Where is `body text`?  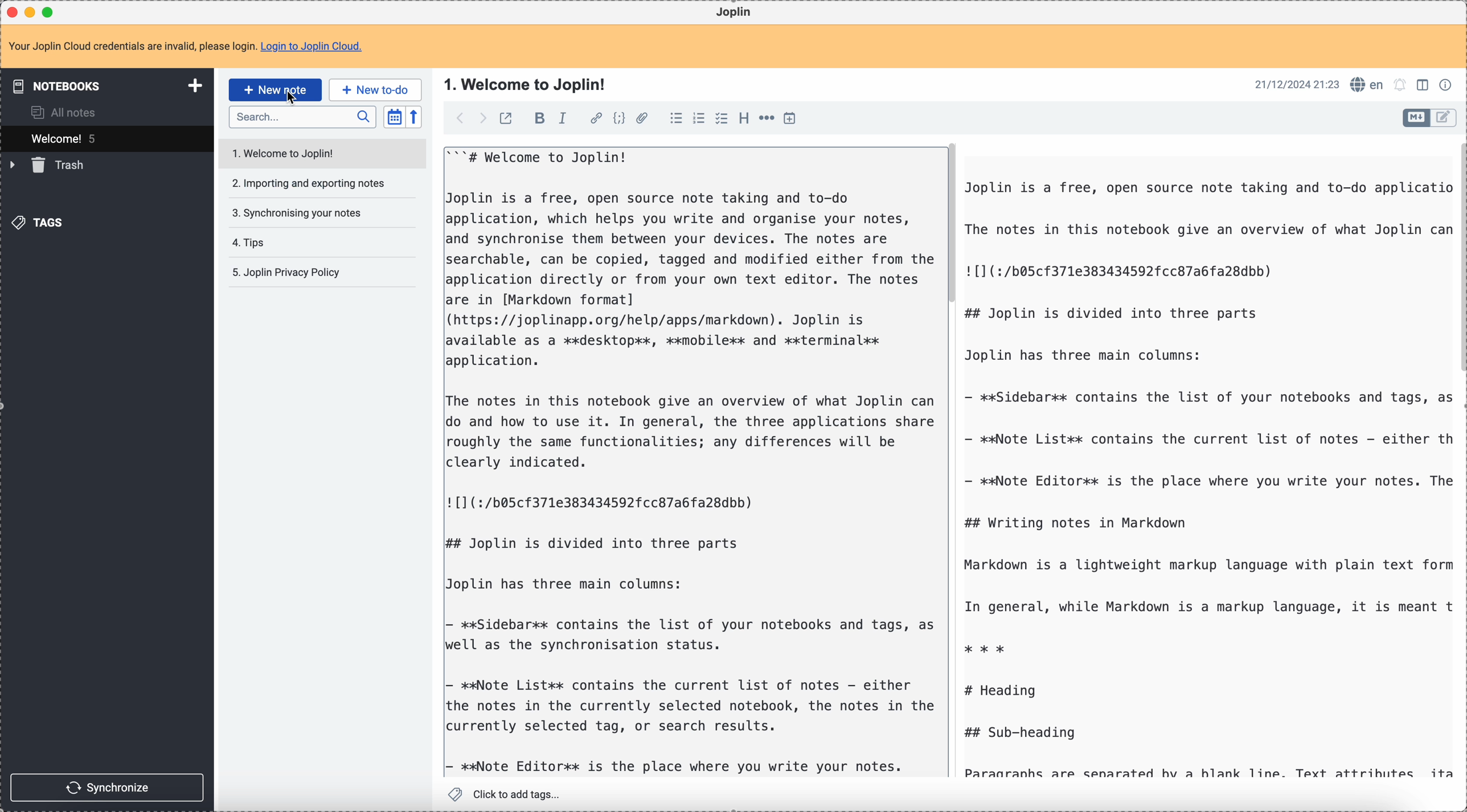 body text is located at coordinates (689, 460).